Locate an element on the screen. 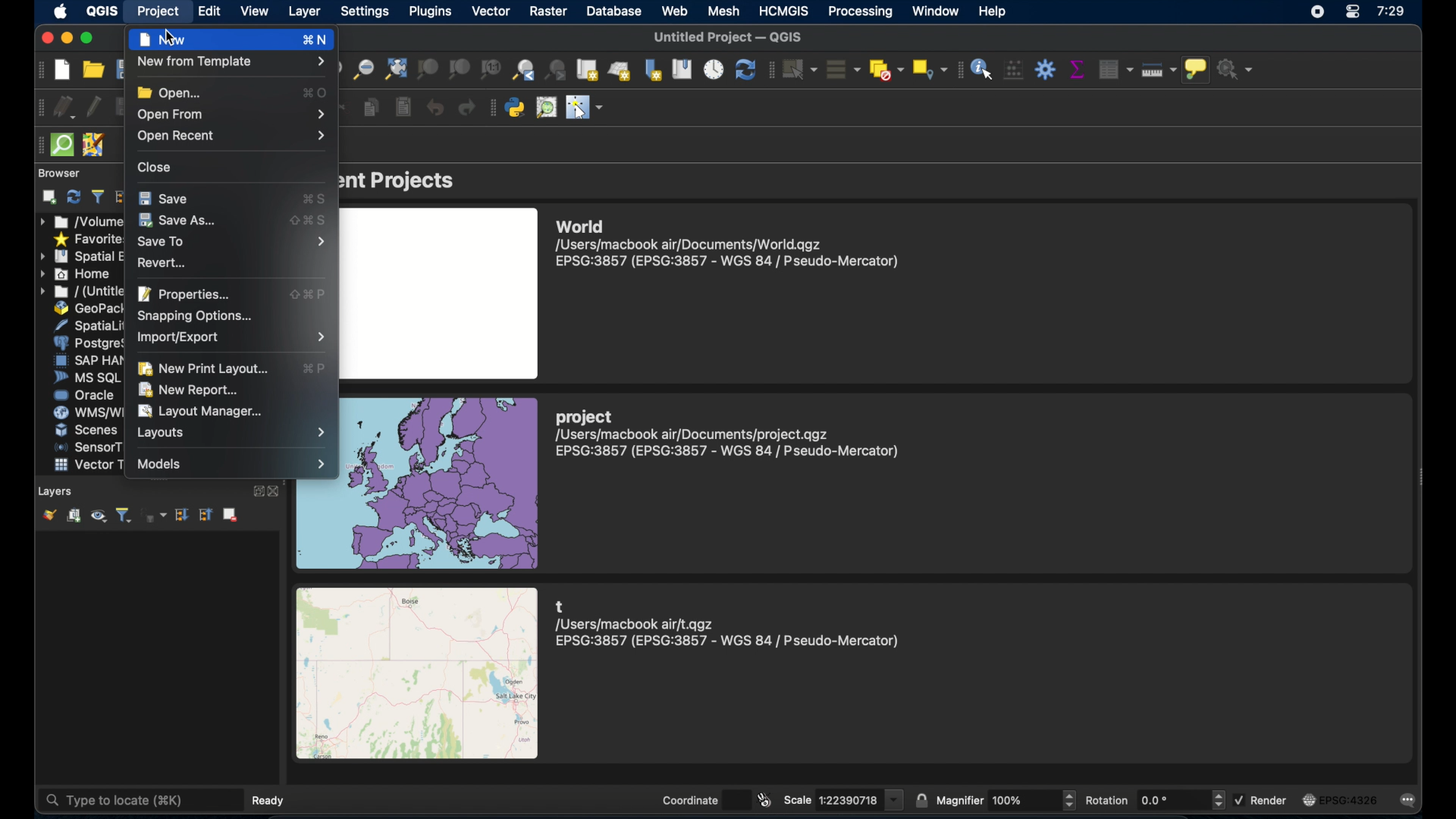 Image resolution: width=1456 pixels, height=819 pixels. untitled project -QGIS is located at coordinates (726, 38).